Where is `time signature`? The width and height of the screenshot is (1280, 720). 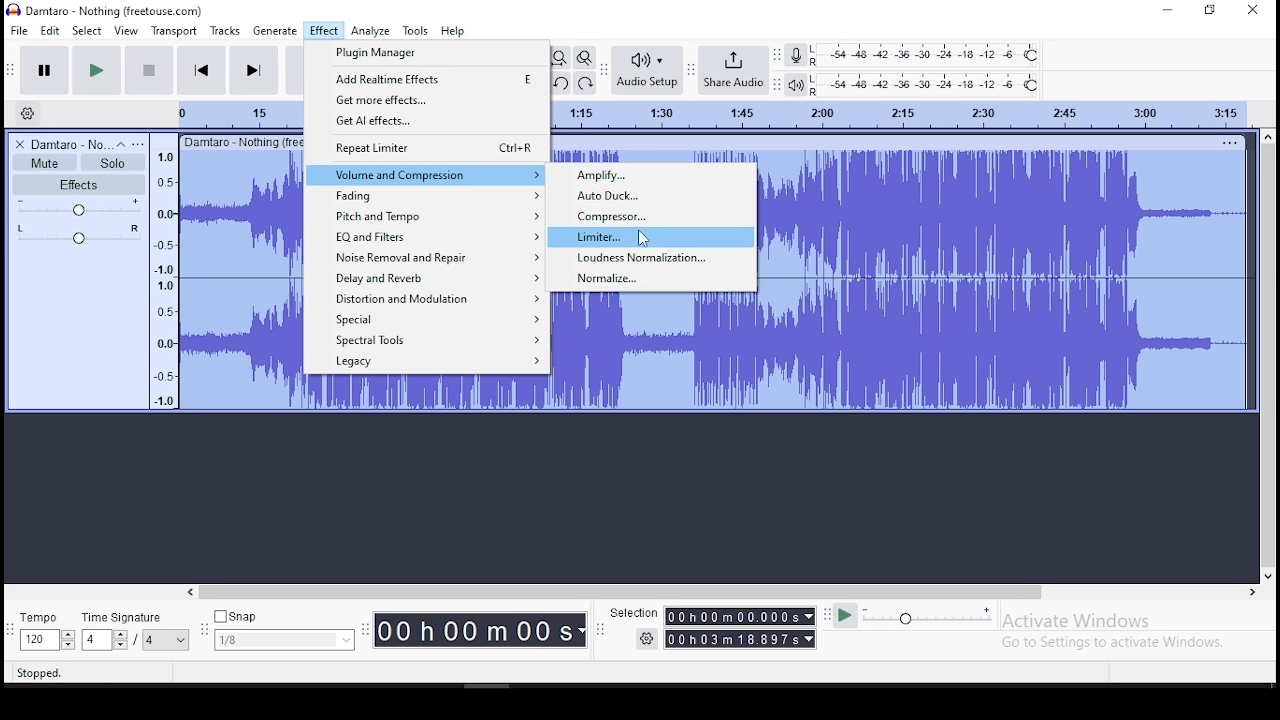
time signature is located at coordinates (136, 628).